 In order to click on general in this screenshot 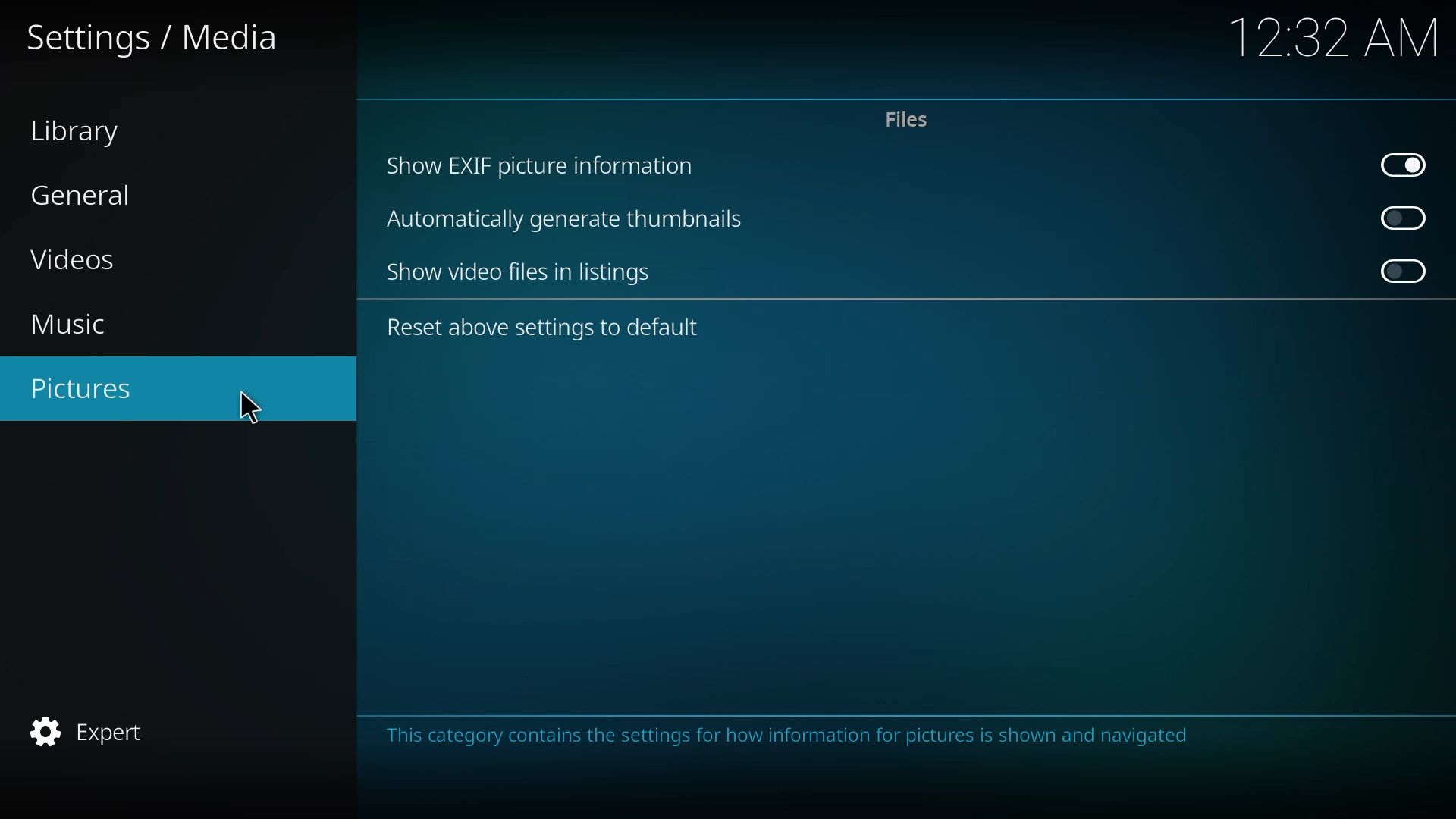, I will do `click(83, 193)`.